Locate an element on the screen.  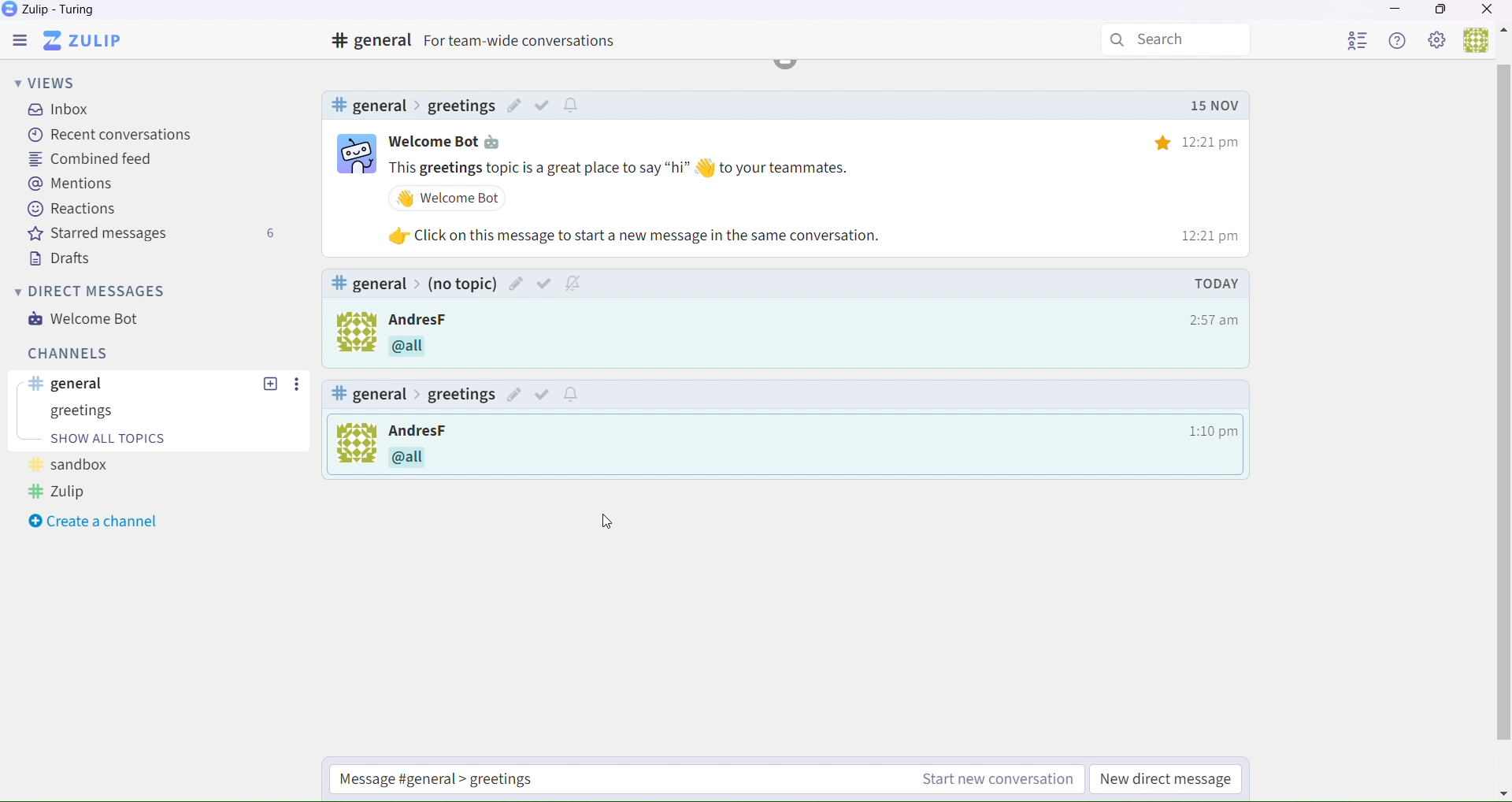
 is located at coordinates (417, 350).